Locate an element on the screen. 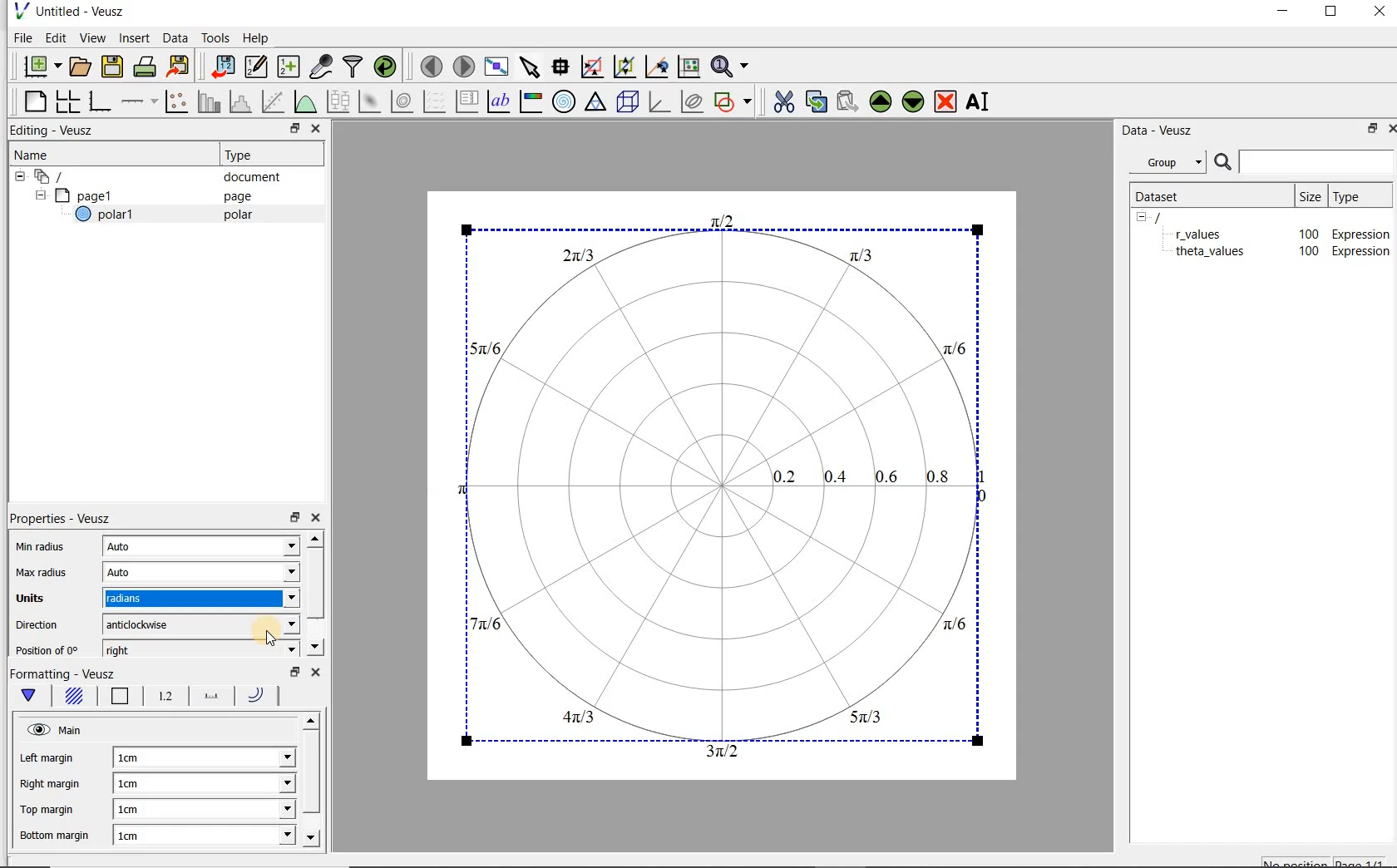 The width and height of the screenshot is (1397, 868). click to reset graph axes is located at coordinates (689, 66).